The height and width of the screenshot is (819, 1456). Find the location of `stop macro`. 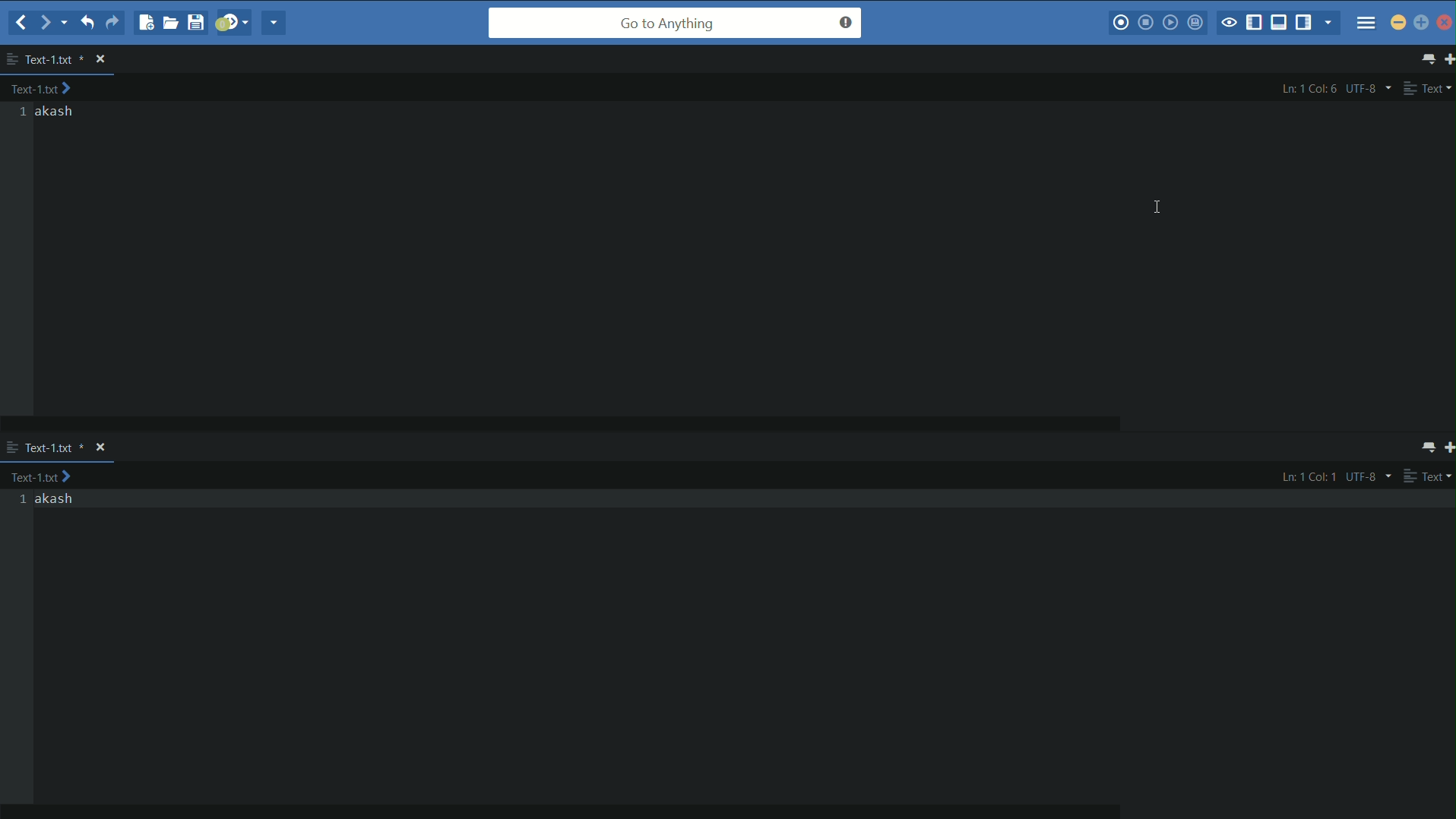

stop macro is located at coordinates (1146, 22).